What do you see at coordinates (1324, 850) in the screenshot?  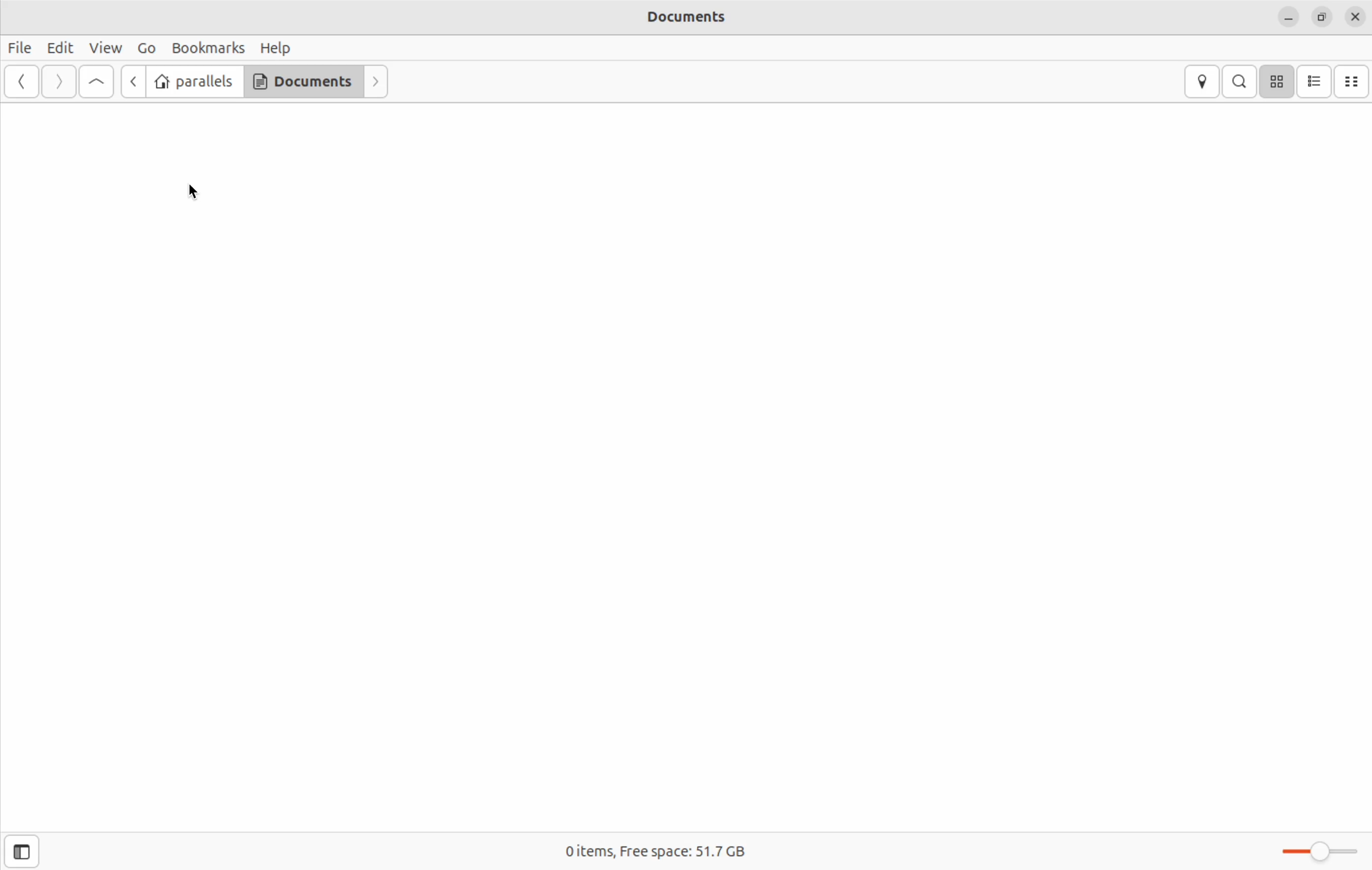 I see `Zoom` at bounding box center [1324, 850].